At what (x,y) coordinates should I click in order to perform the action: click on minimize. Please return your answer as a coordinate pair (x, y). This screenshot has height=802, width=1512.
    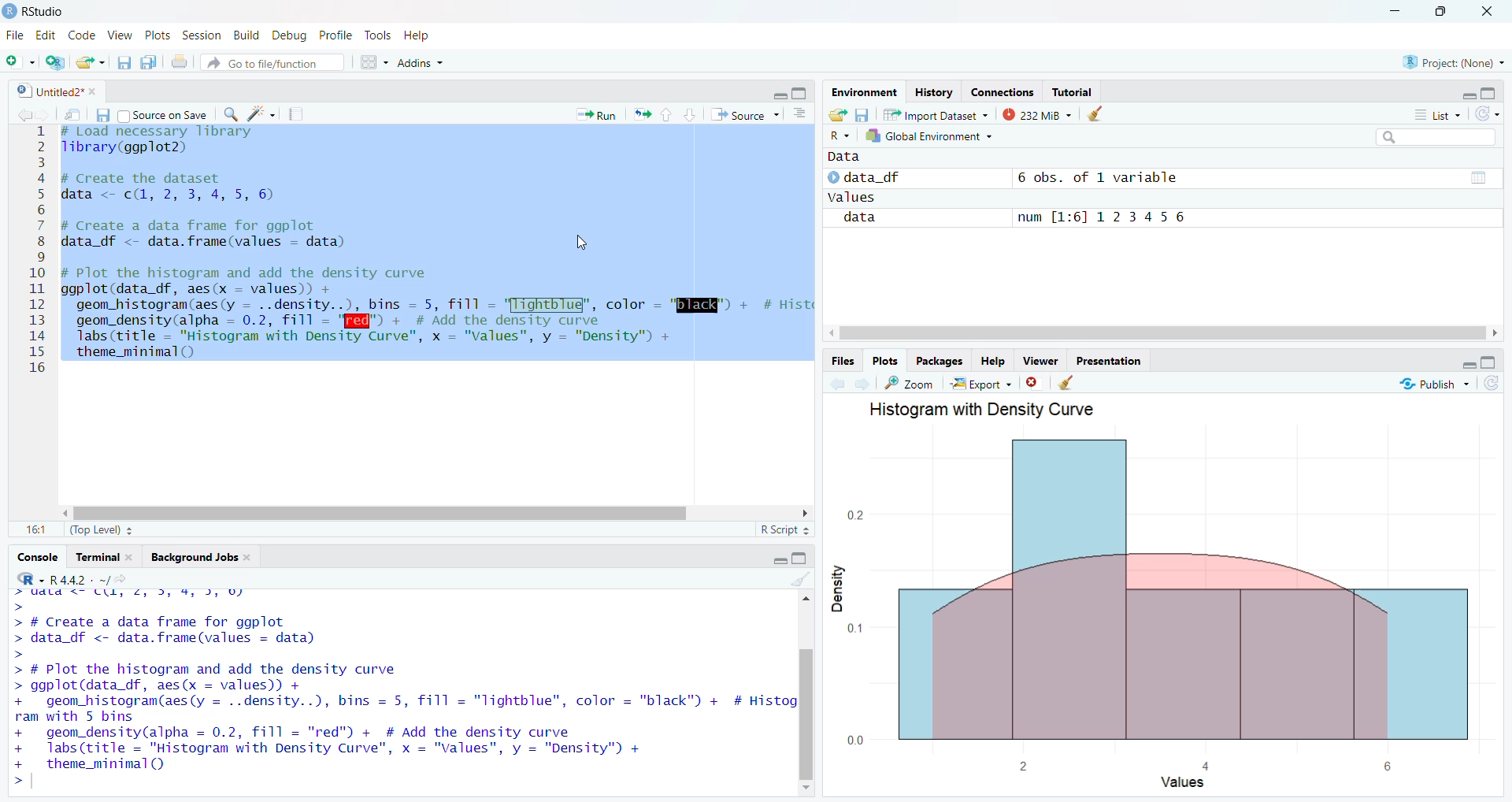
    Looking at the image, I should click on (780, 95).